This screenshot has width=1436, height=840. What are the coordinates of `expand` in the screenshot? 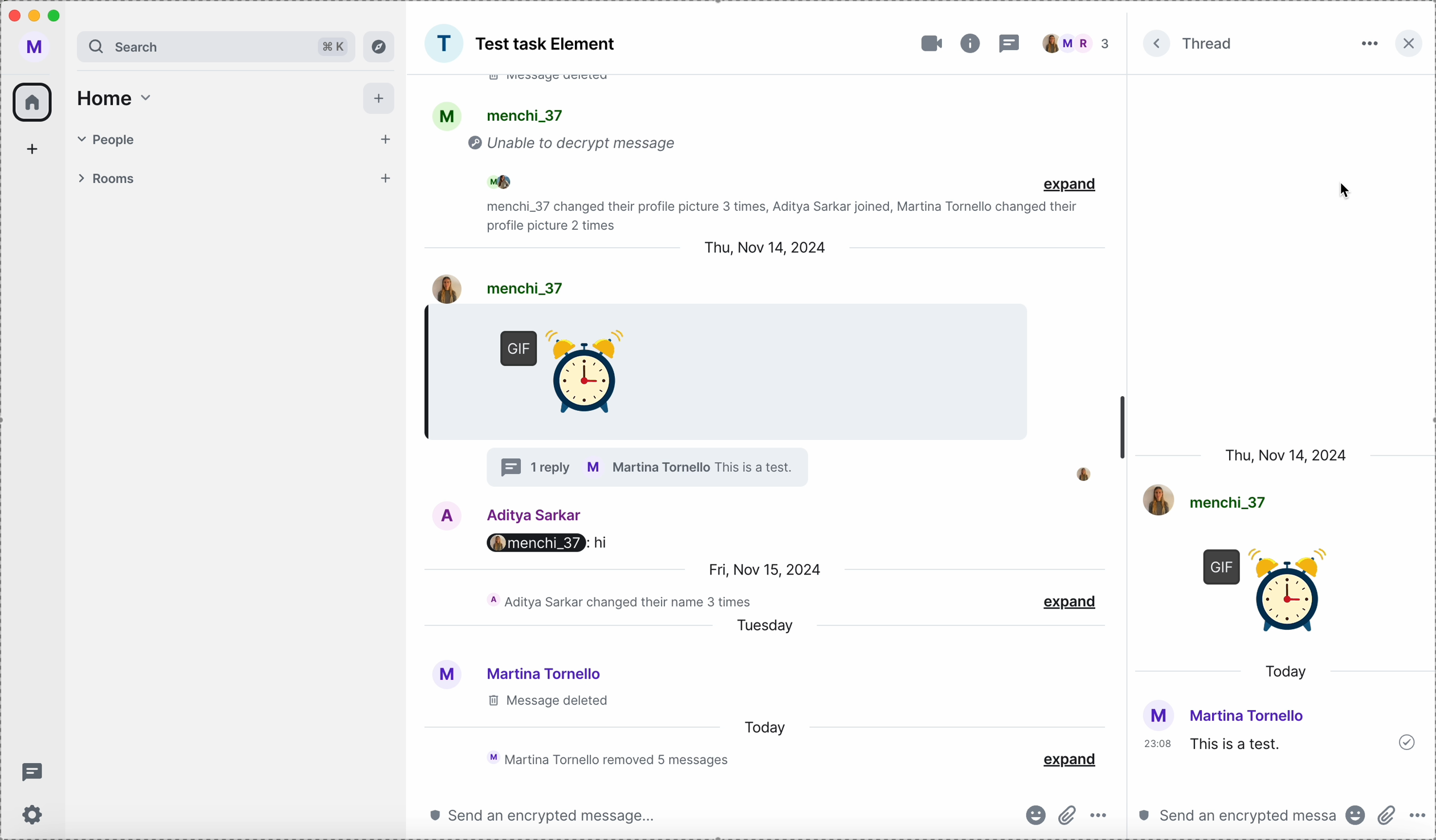 It's located at (1069, 758).